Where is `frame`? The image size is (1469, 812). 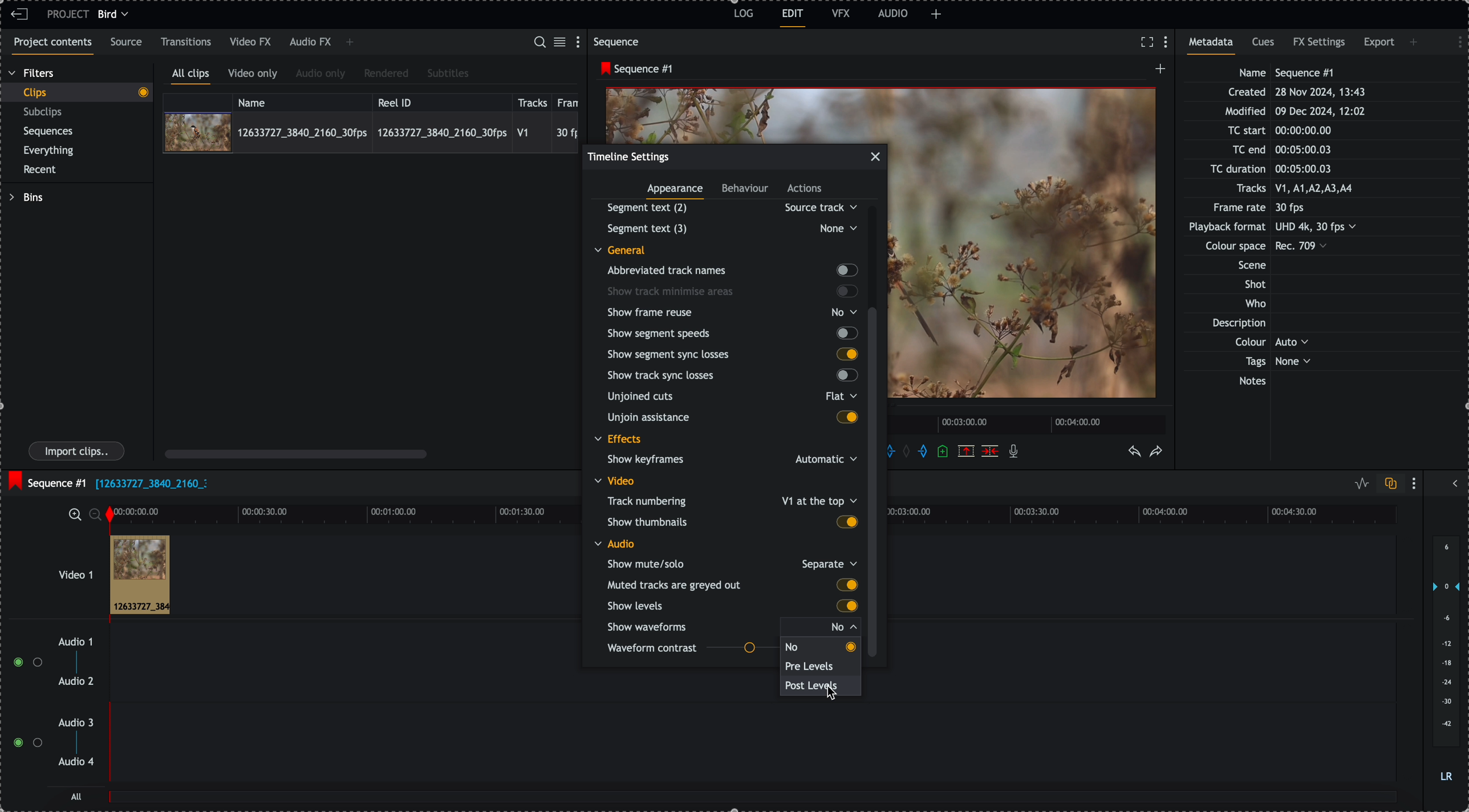
frame is located at coordinates (570, 101).